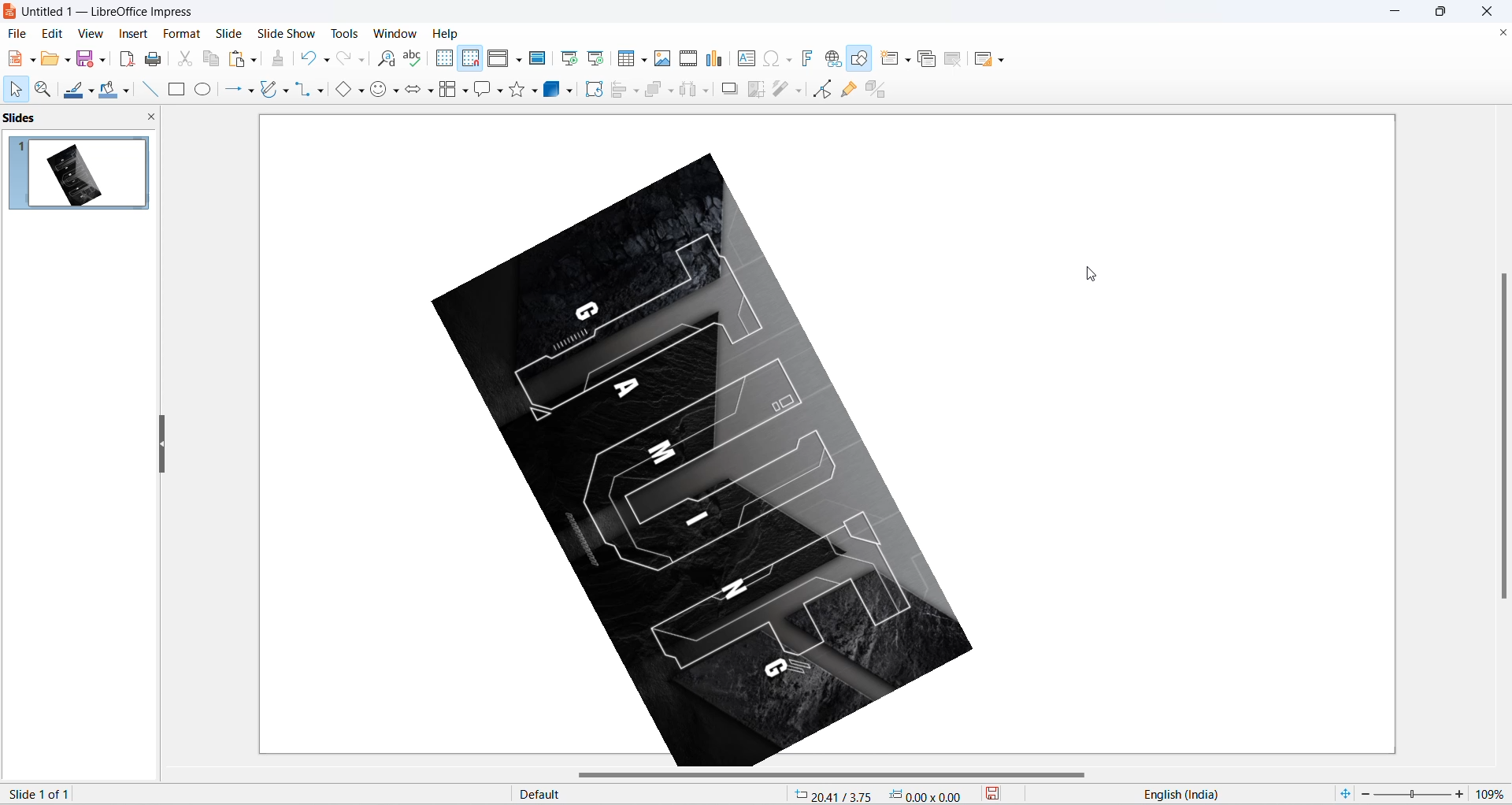  Describe the element at coordinates (187, 58) in the screenshot. I see `cut` at that location.